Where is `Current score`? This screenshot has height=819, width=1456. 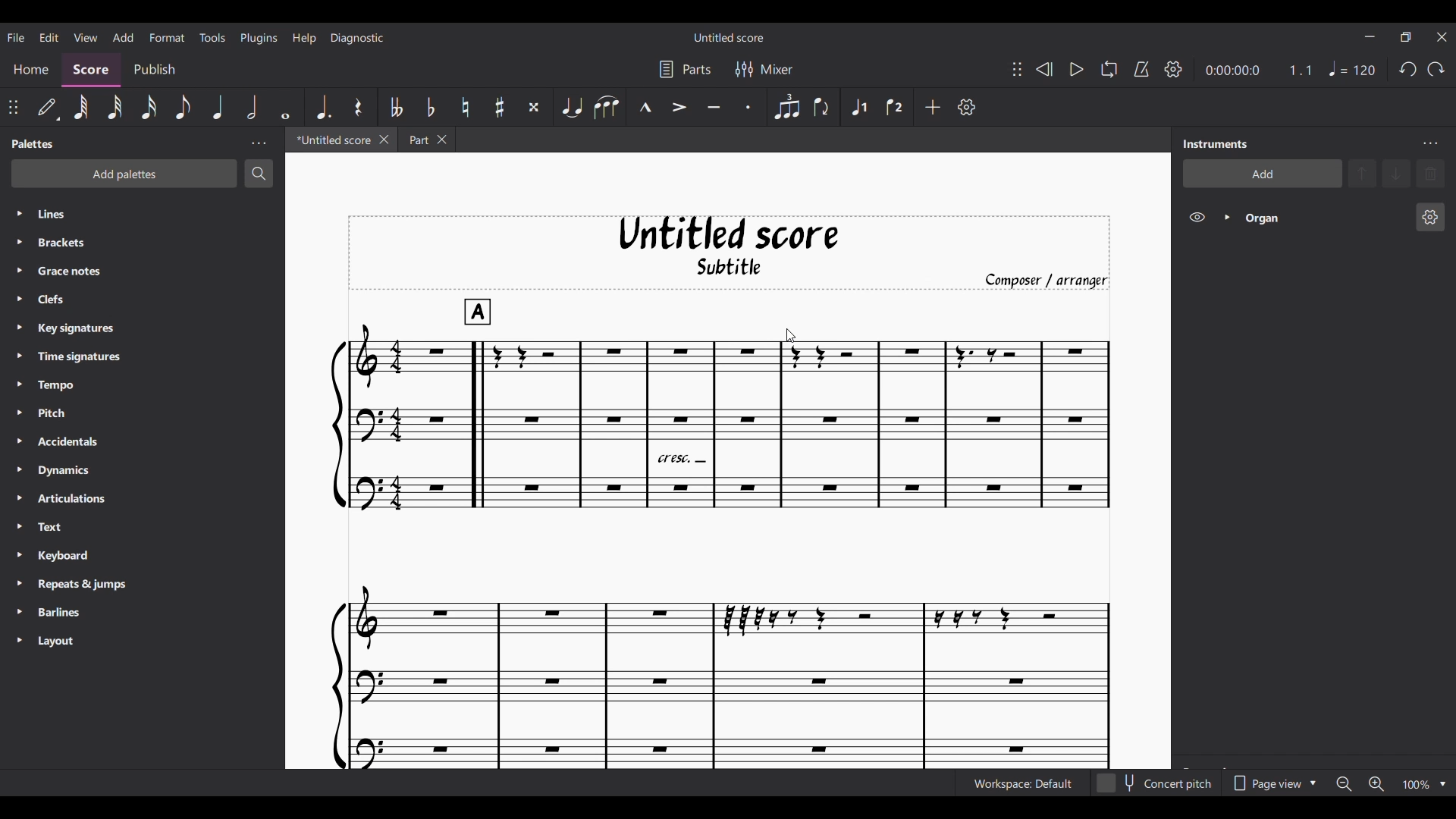
Current score is located at coordinates (720, 533).